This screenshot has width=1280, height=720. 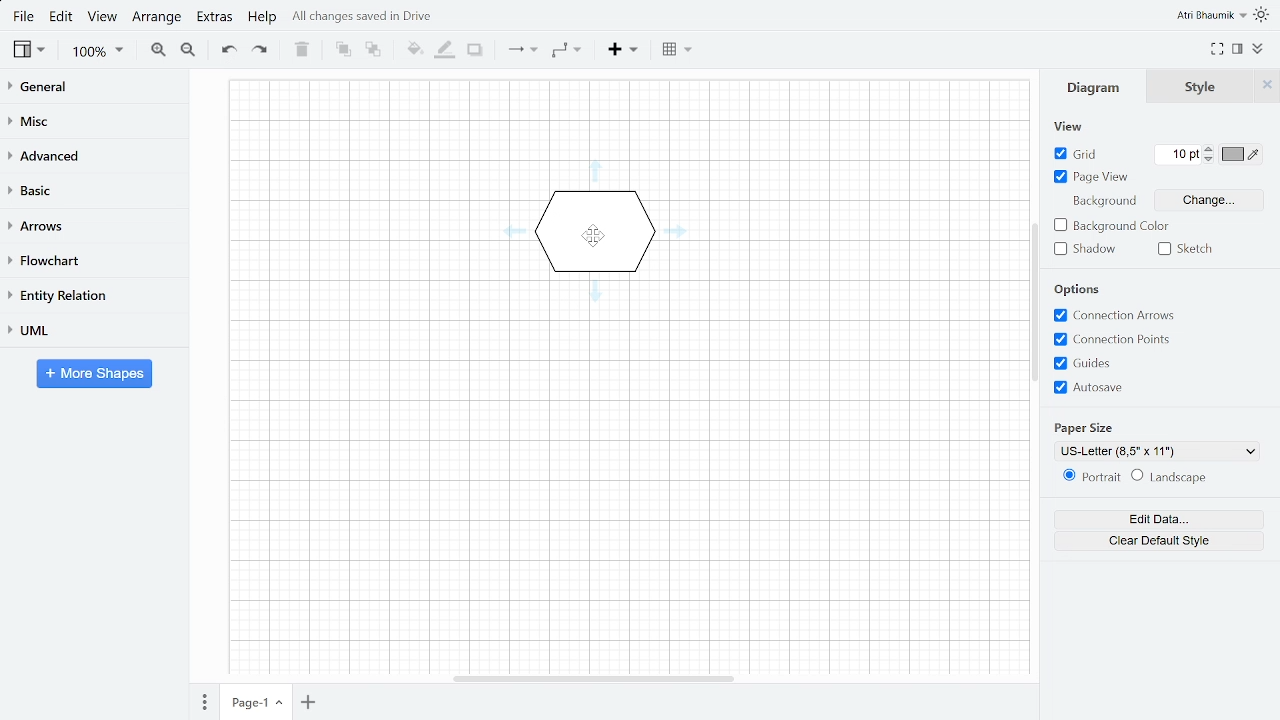 What do you see at coordinates (1157, 451) in the screenshot?
I see `Paper size preset options` at bounding box center [1157, 451].